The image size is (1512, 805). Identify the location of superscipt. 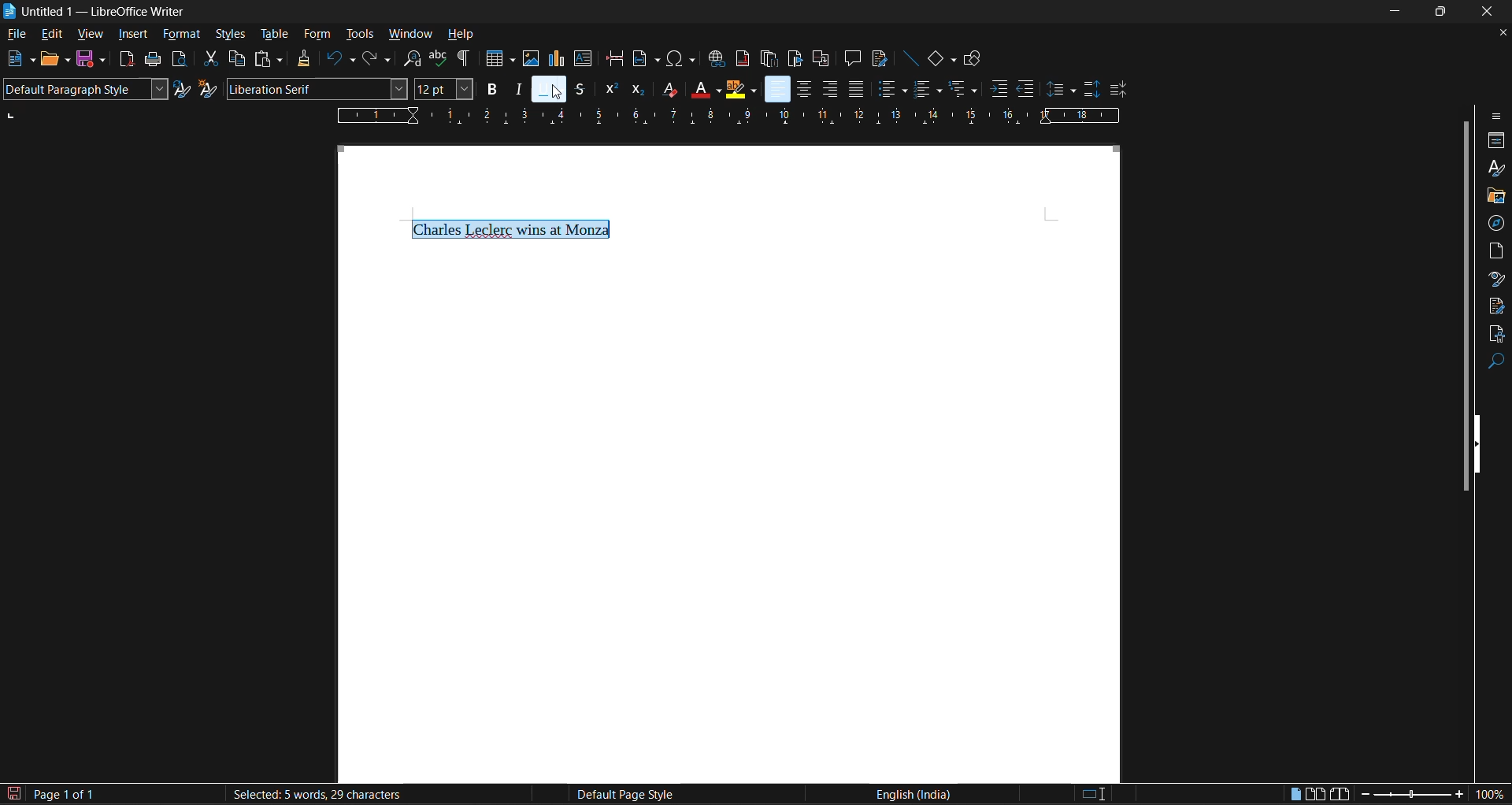
(610, 90).